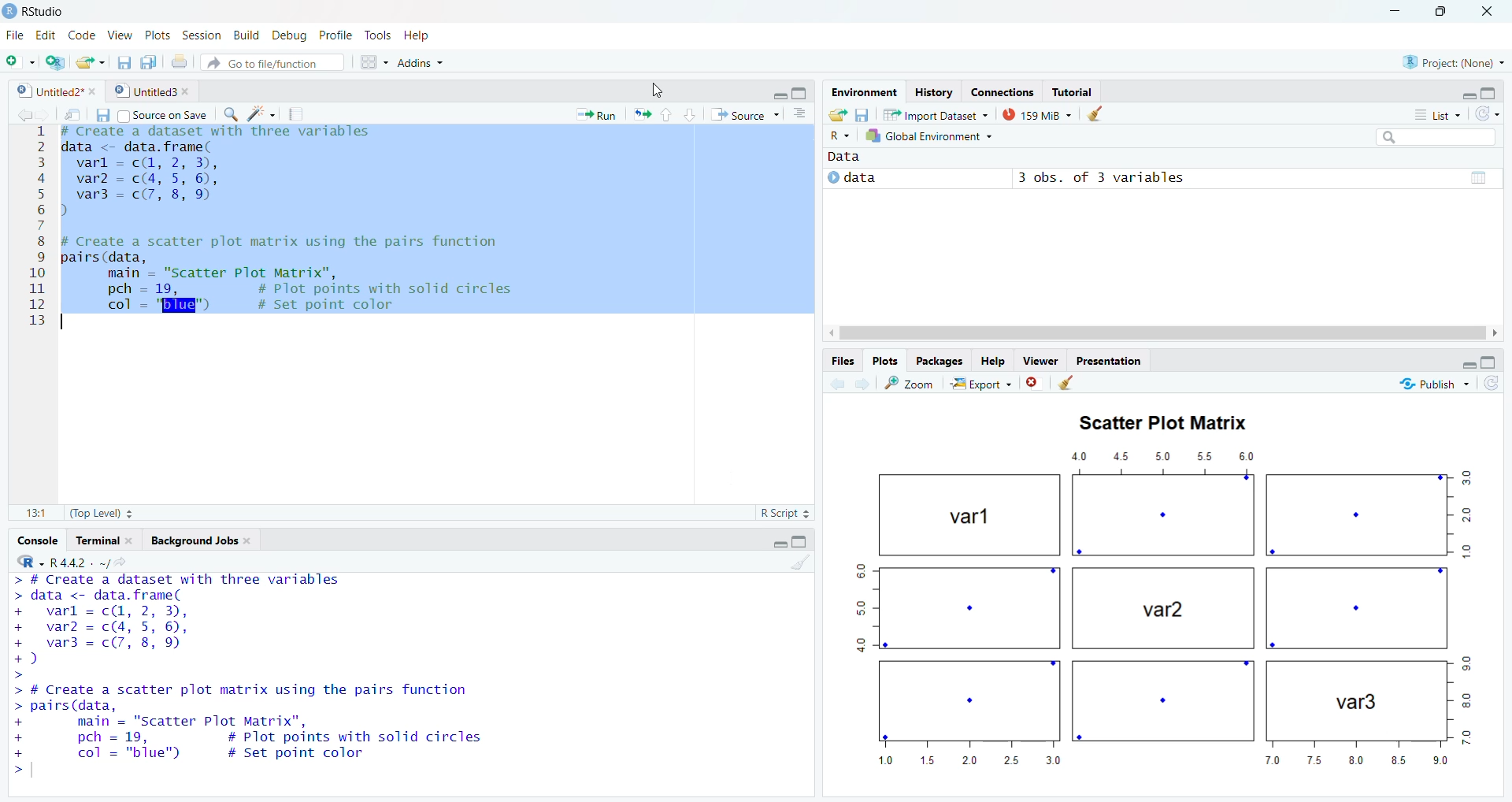 The height and width of the screenshot is (802, 1512). What do you see at coordinates (150, 61) in the screenshot?
I see `Save all open document` at bounding box center [150, 61].